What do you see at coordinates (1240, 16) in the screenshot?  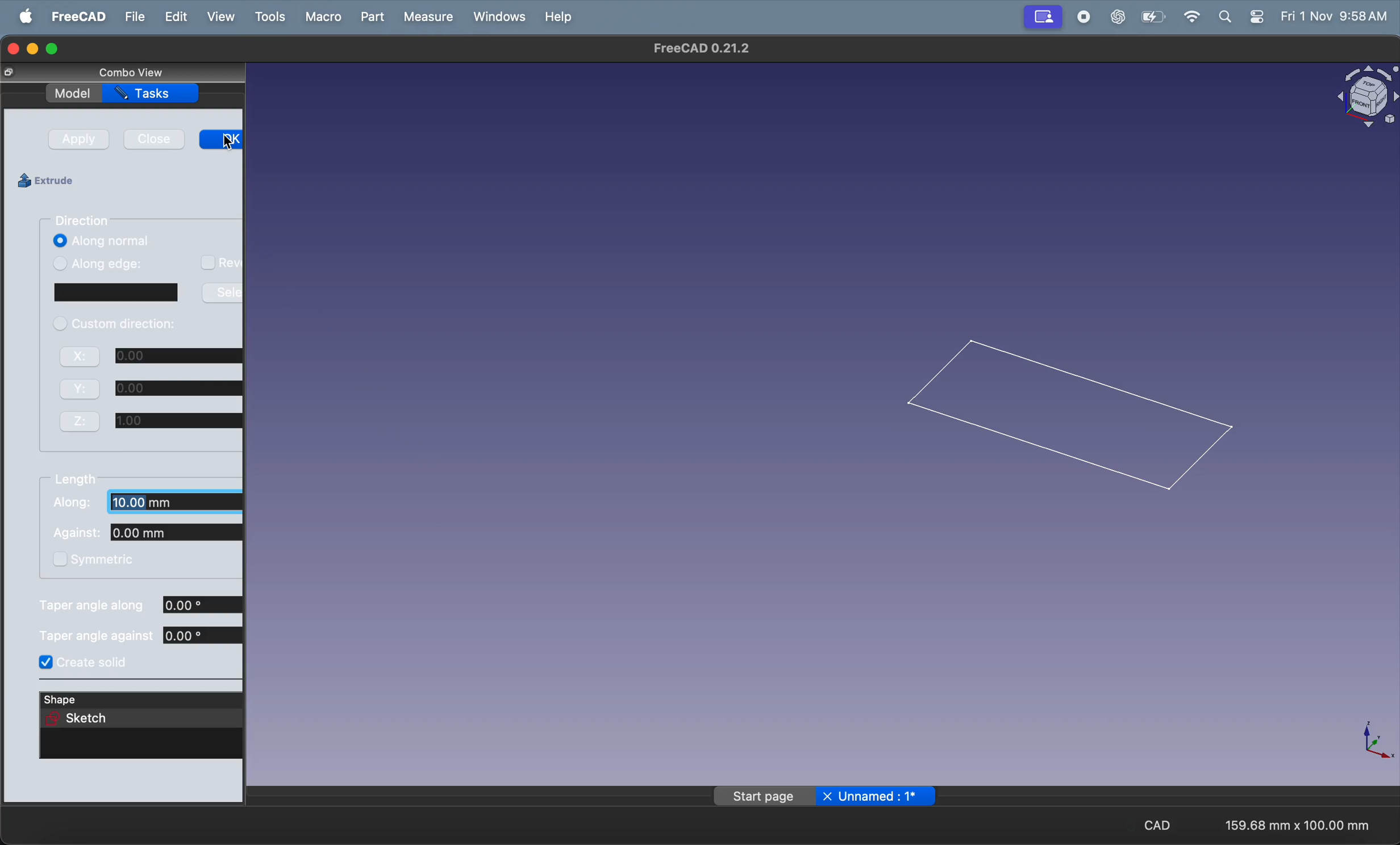 I see `apple widgets` at bounding box center [1240, 16].